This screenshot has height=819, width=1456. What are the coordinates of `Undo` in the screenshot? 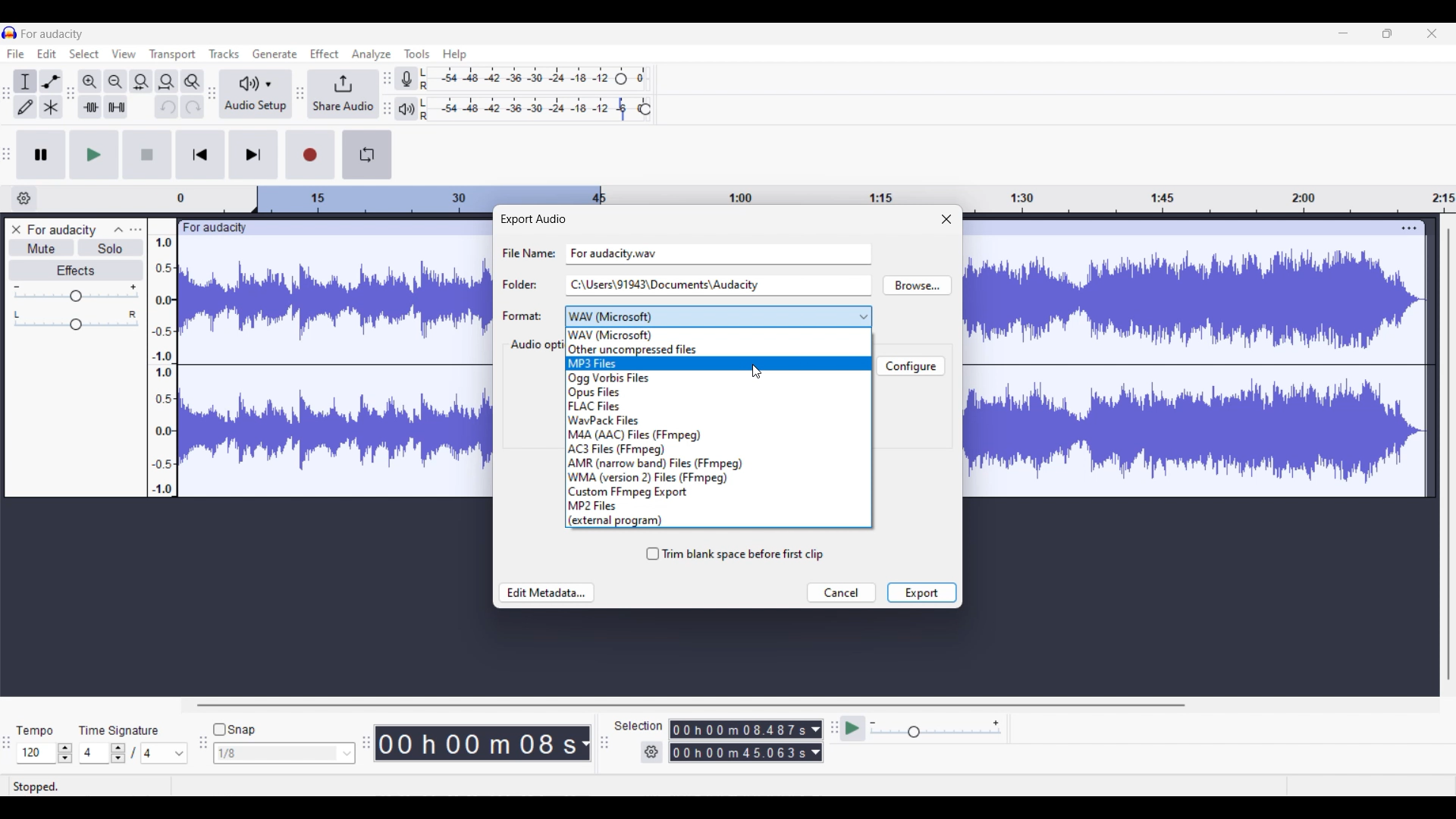 It's located at (167, 107).